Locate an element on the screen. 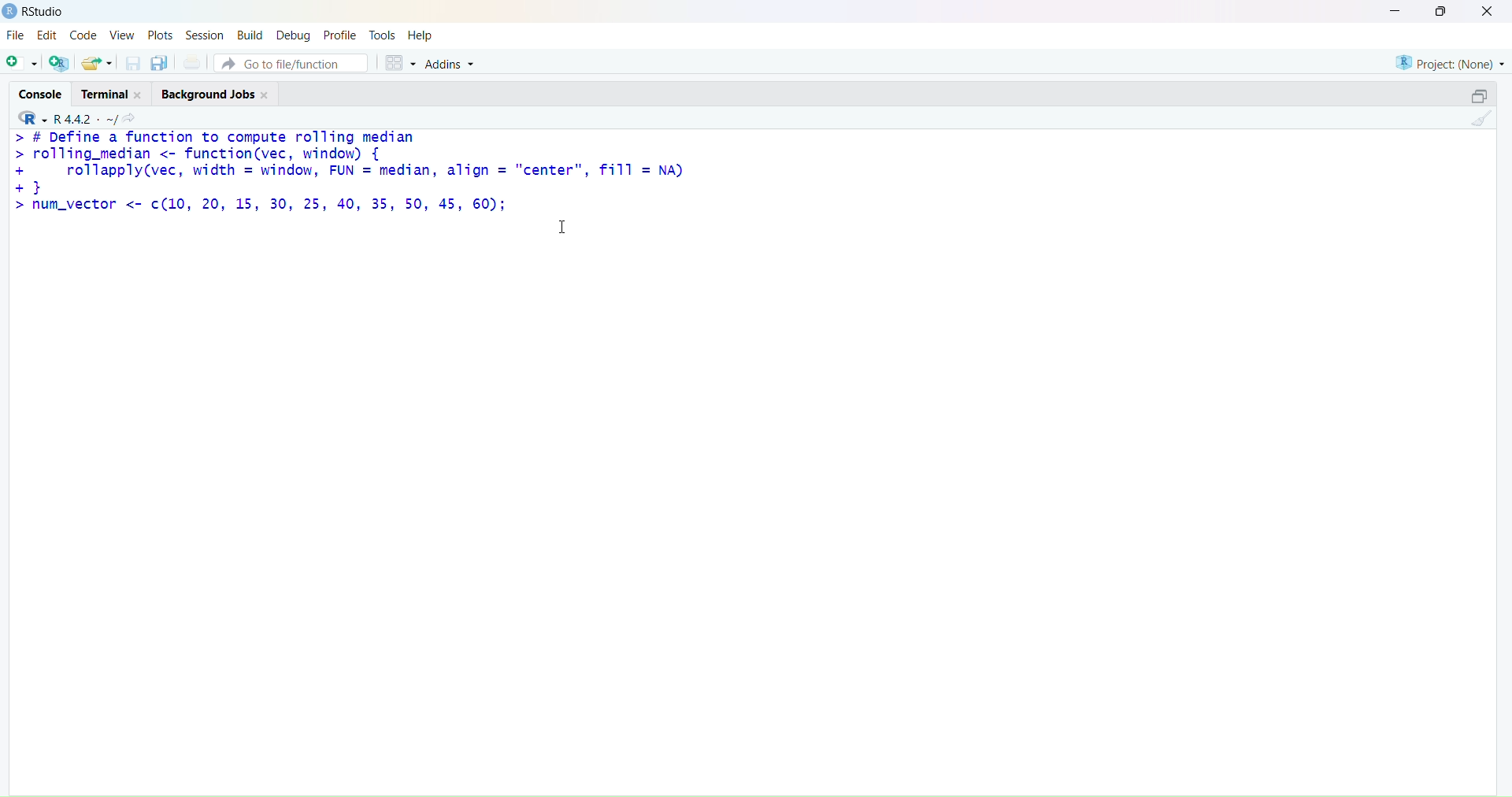  print is located at coordinates (192, 62).